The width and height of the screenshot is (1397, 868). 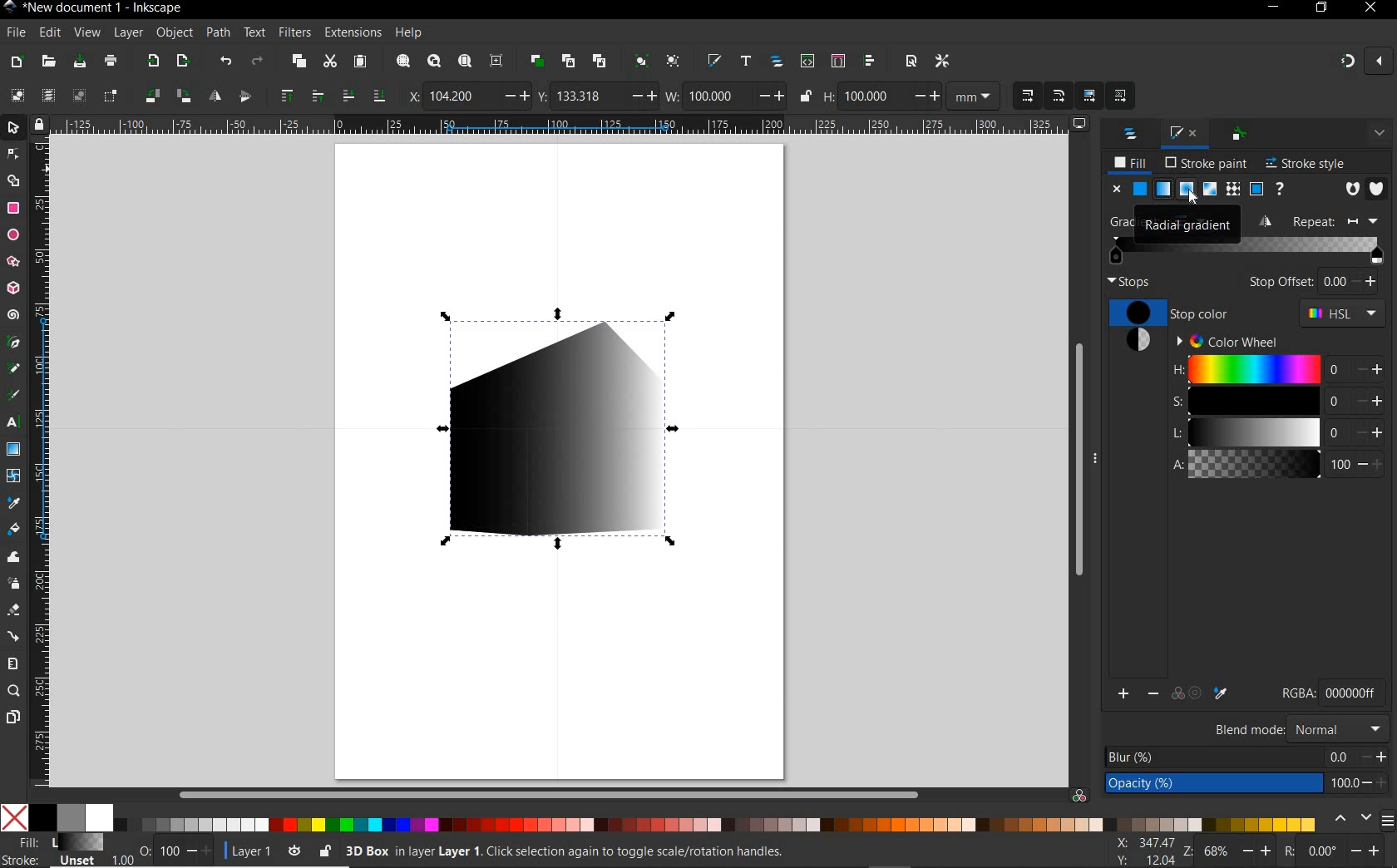 What do you see at coordinates (14, 584) in the screenshot?
I see `SPRAY TOOL` at bounding box center [14, 584].